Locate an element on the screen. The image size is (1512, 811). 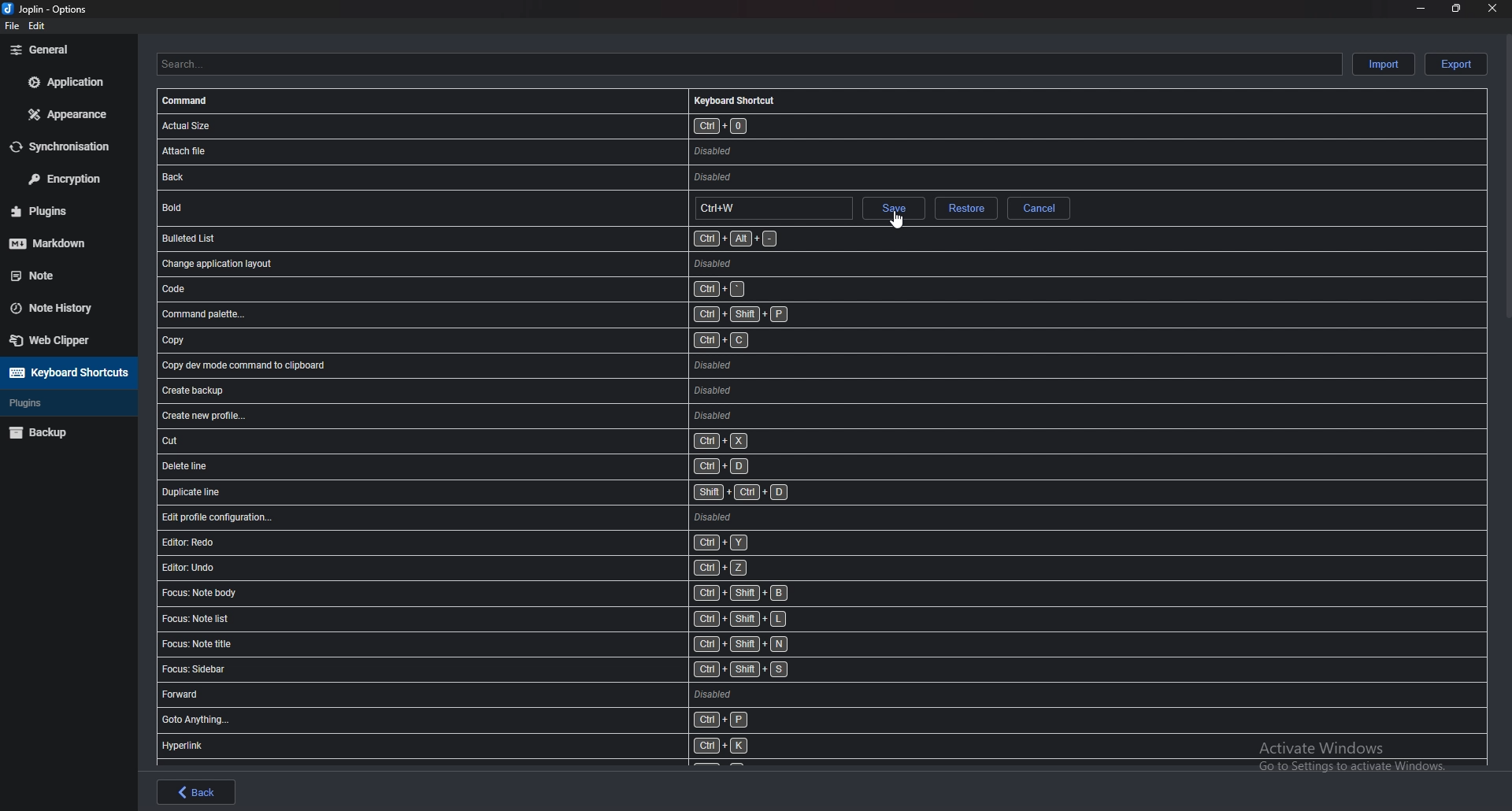
shortcut is located at coordinates (517, 593).